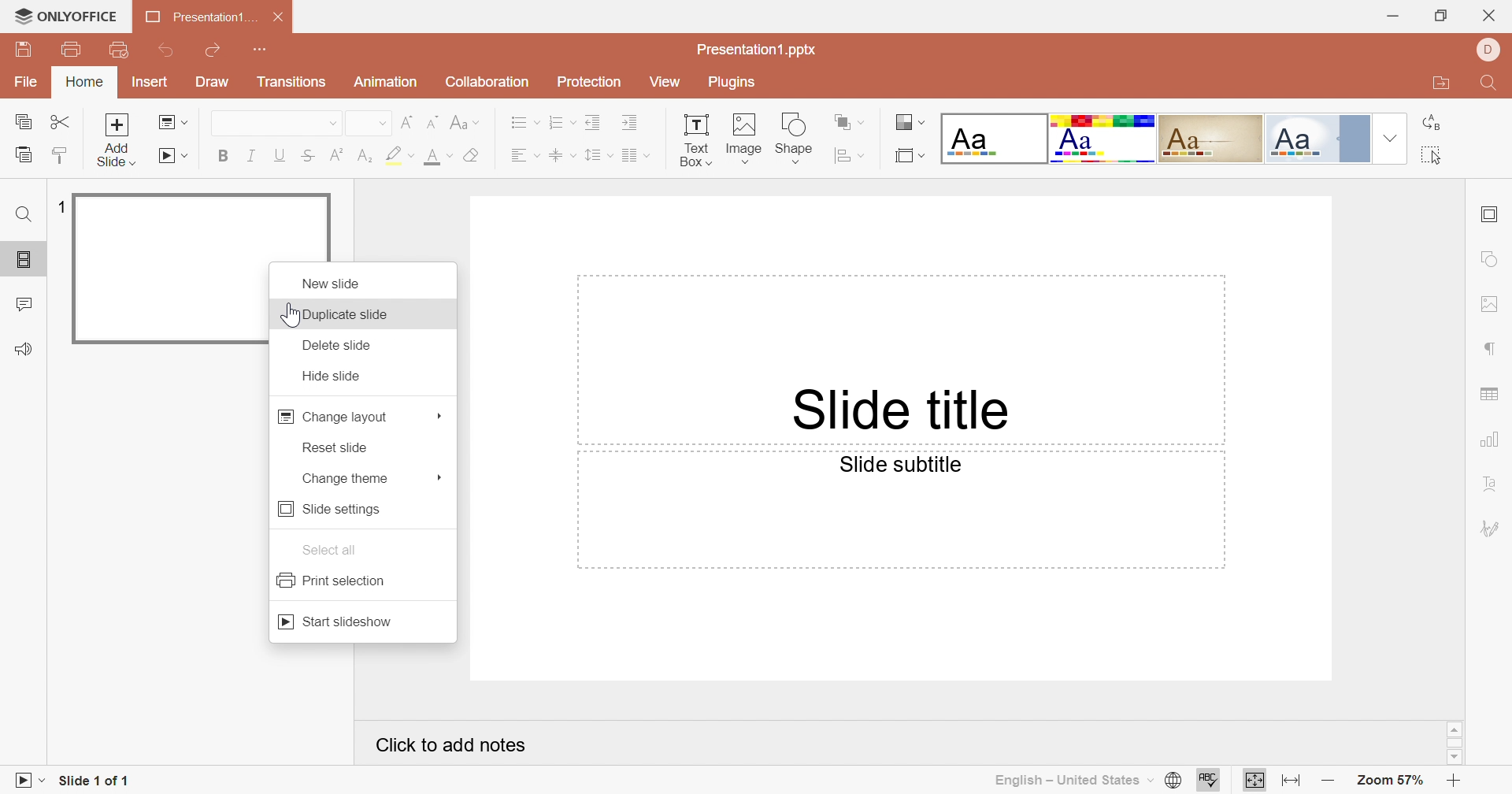 The image size is (1512, 794). I want to click on Fit to slide, so click(1257, 781).